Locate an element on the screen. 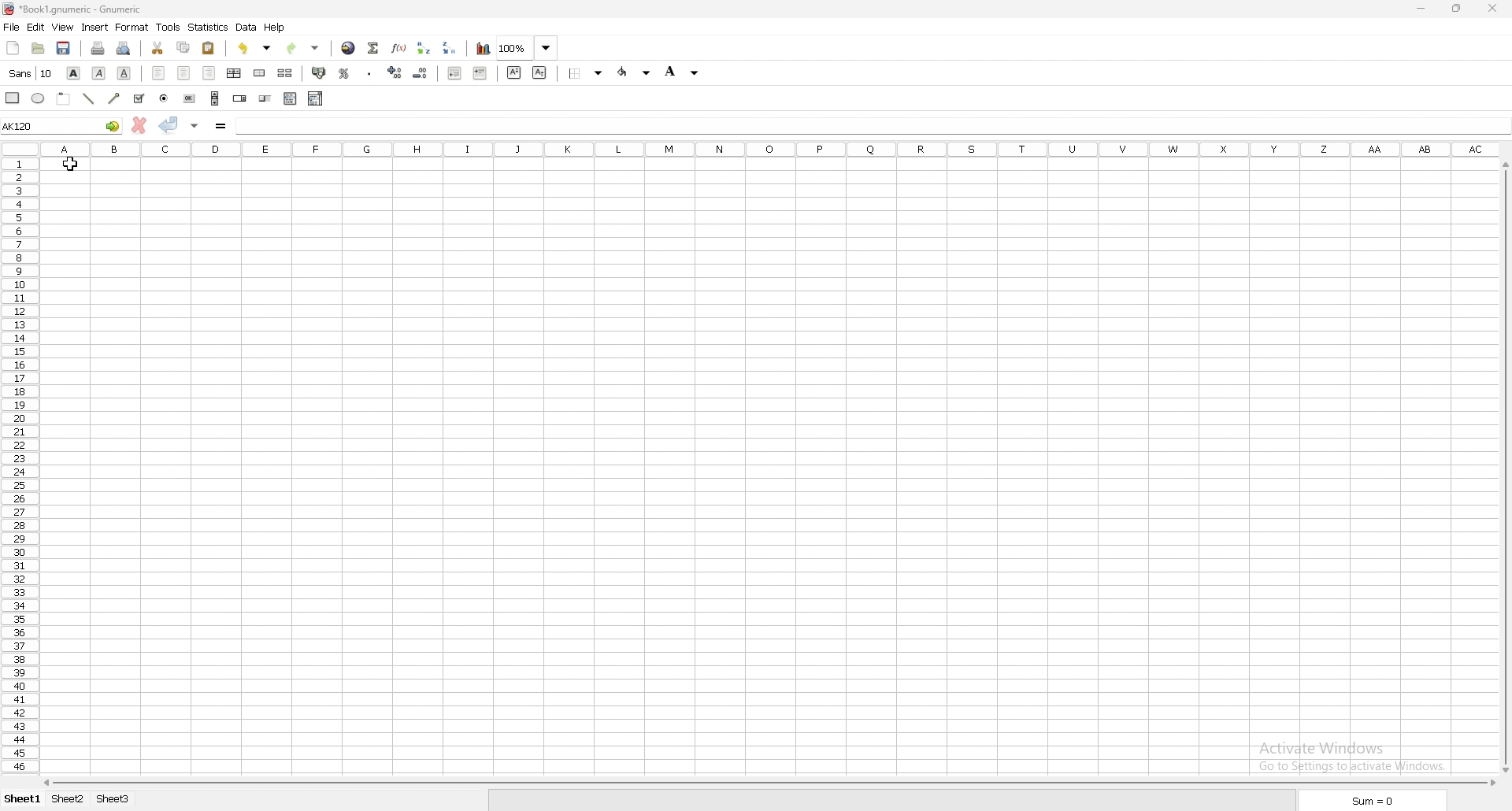 The image size is (1512, 811). combo box is located at coordinates (316, 98).